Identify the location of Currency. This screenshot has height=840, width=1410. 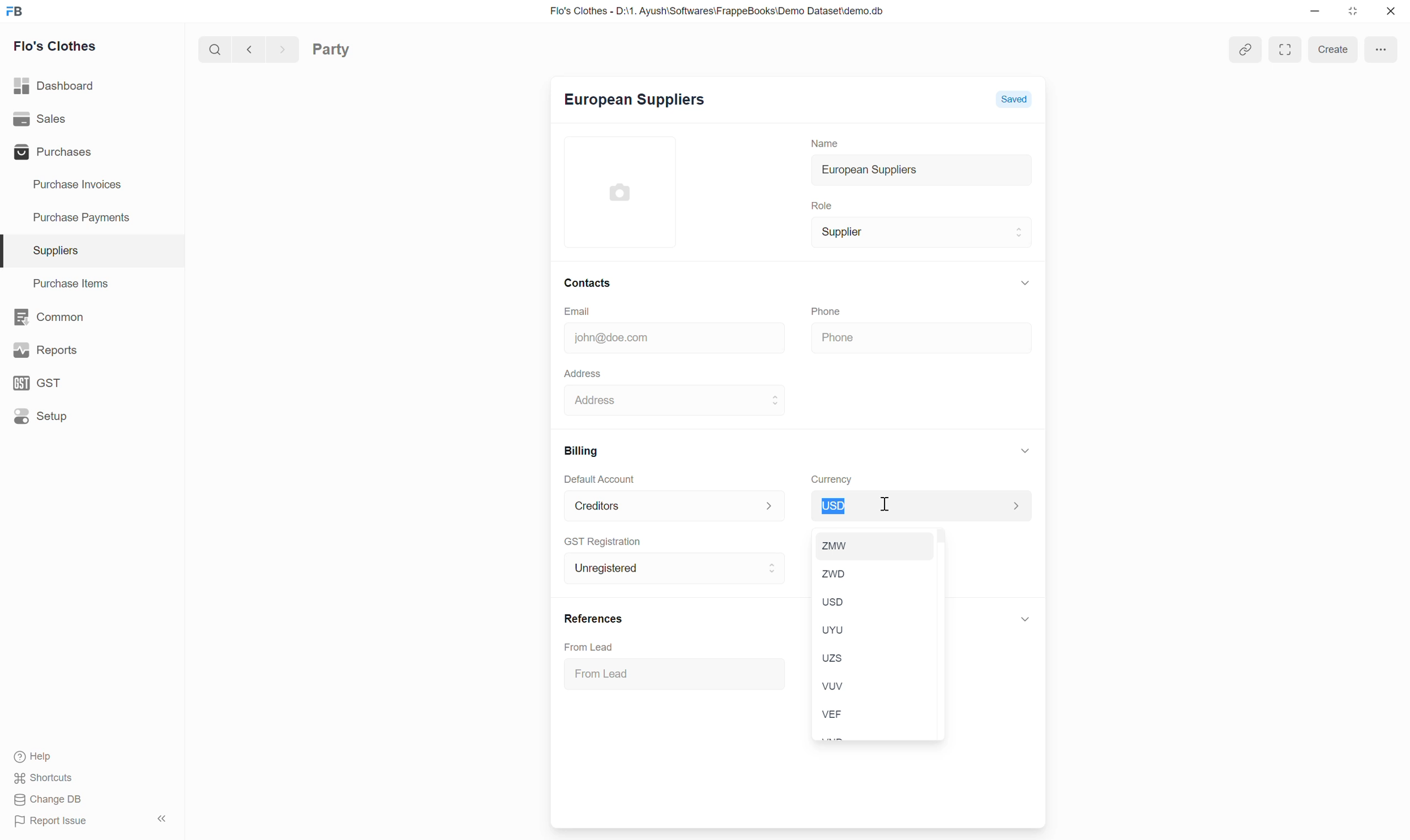
(828, 477).